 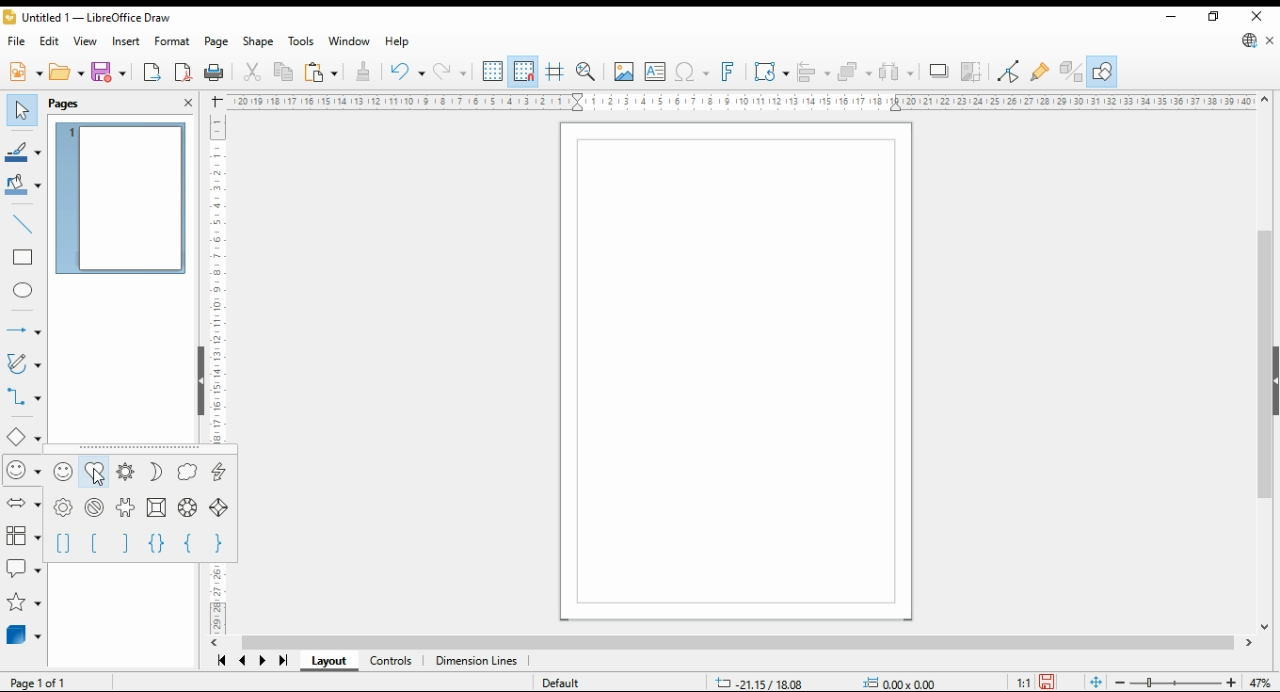 What do you see at coordinates (1256, 16) in the screenshot?
I see `close window` at bounding box center [1256, 16].